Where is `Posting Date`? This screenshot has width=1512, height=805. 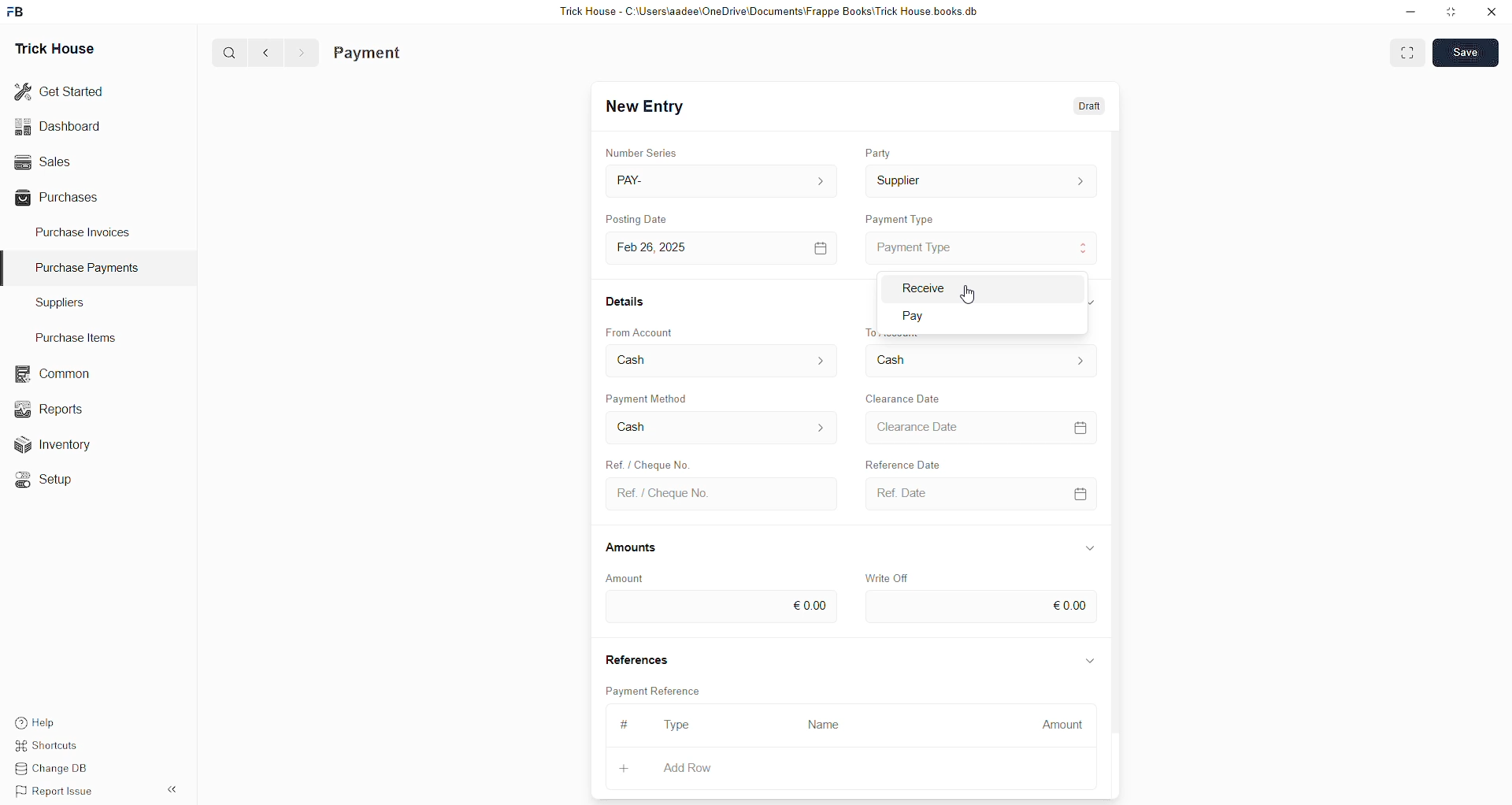 Posting Date is located at coordinates (648, 217).